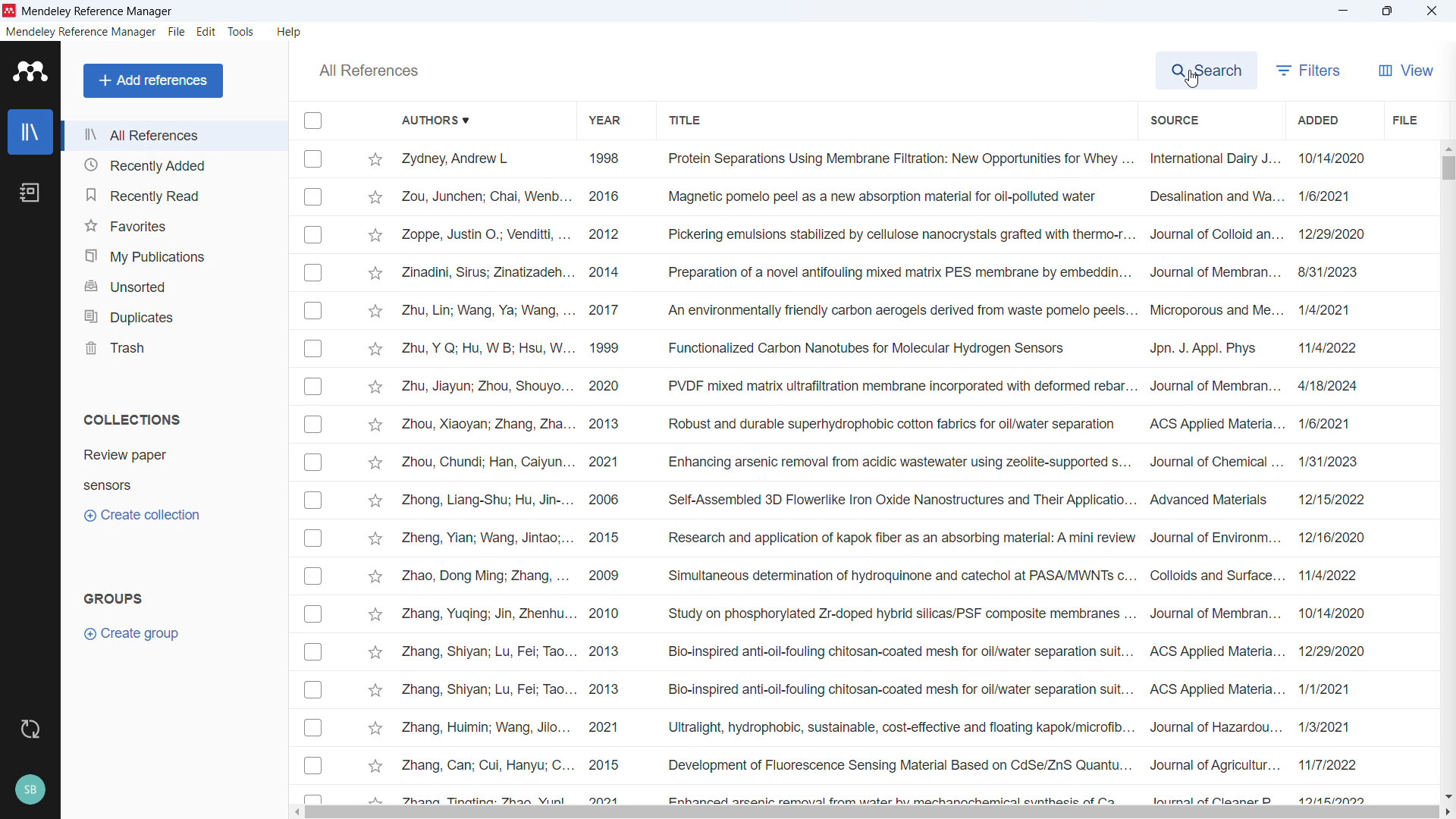  Describe the element at coordinates (604, 121) in the screenshot. I see `Sort by year ` at that location.